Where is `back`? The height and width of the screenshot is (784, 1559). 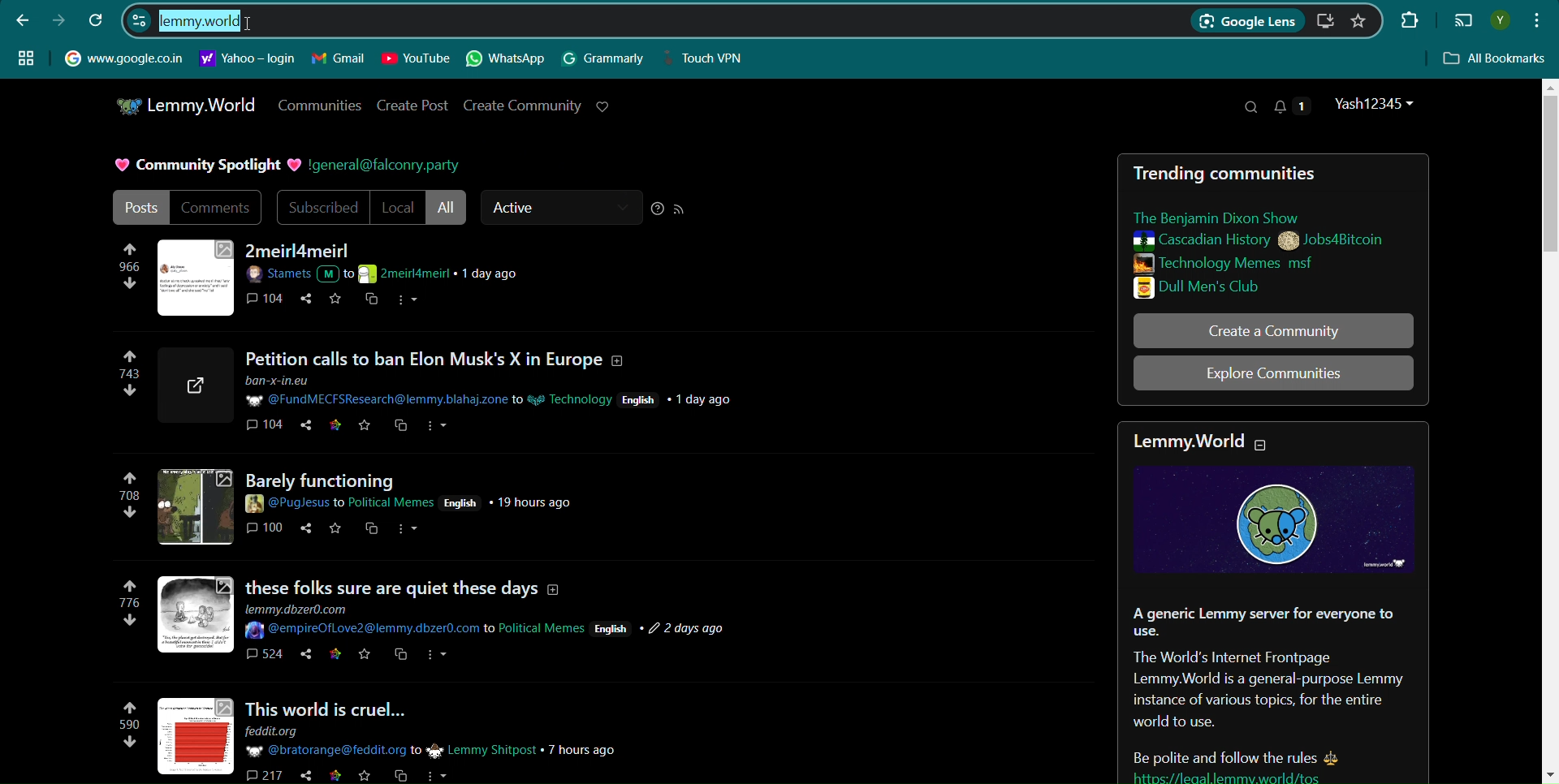 back is located at coordinates (23, 19).